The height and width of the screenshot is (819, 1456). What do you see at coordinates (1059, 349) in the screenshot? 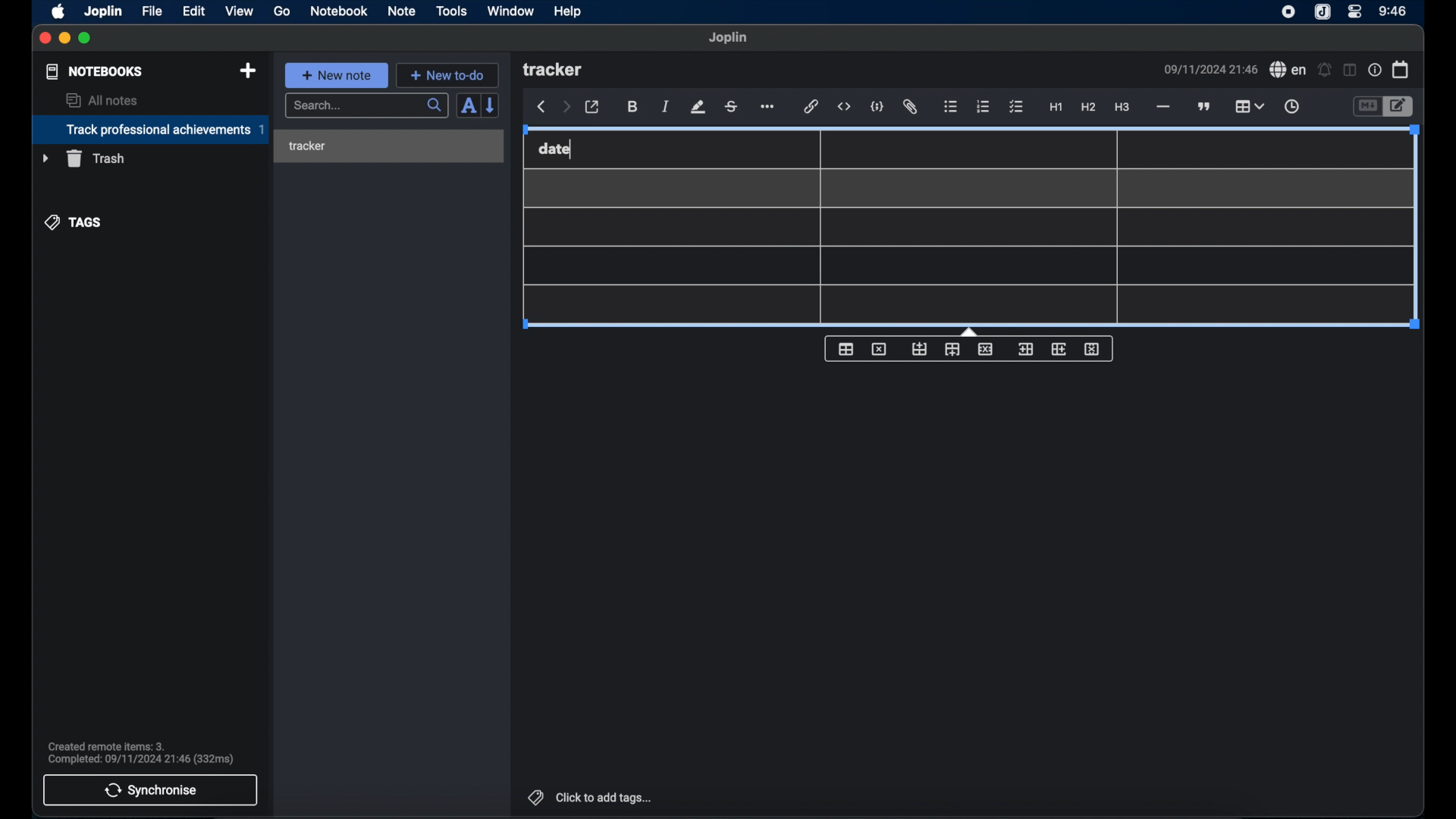
I see `insert column after` at bounding box center [1059, 349].